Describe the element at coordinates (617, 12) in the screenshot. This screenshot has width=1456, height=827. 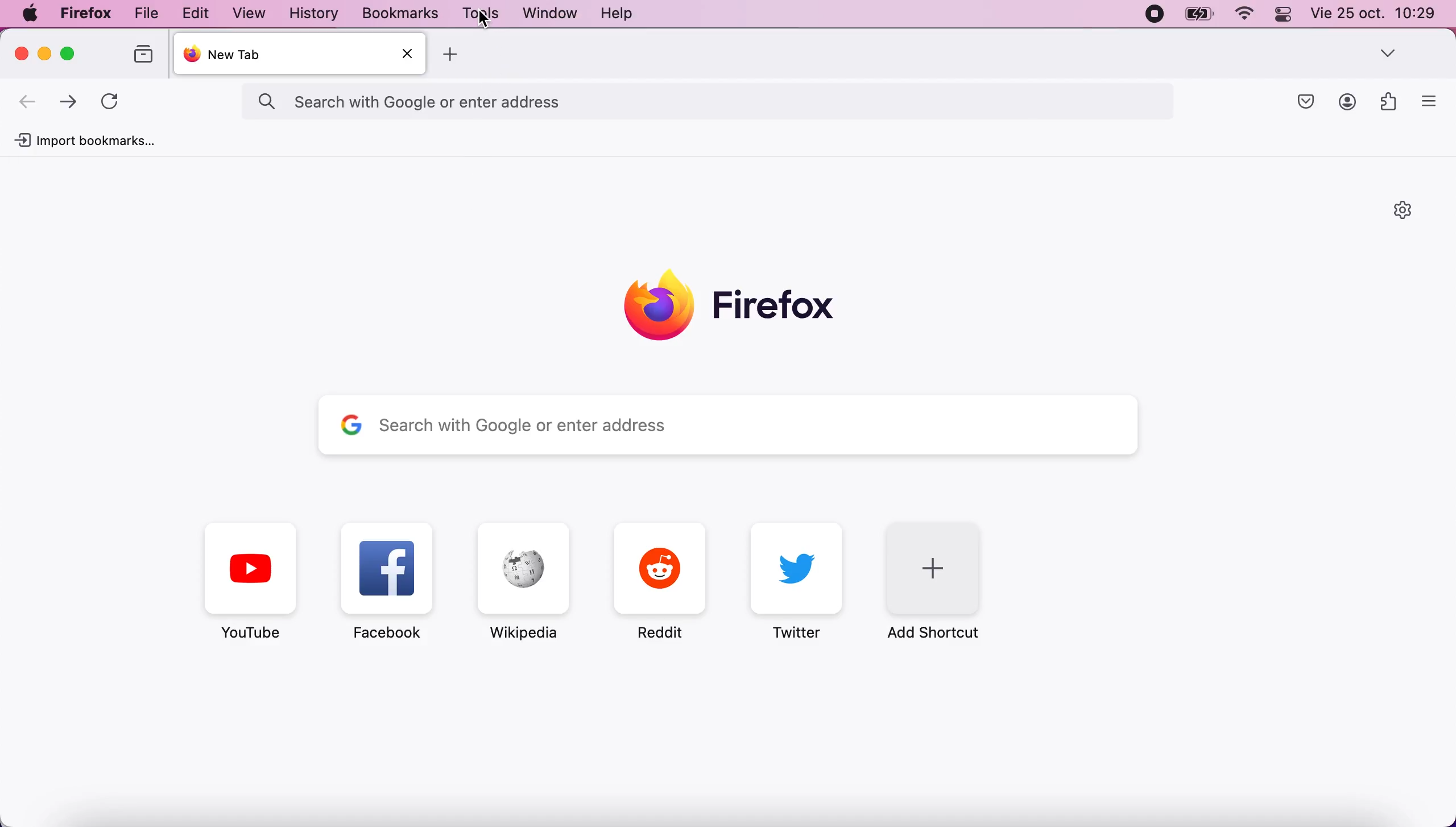
I see `Help` at that location.